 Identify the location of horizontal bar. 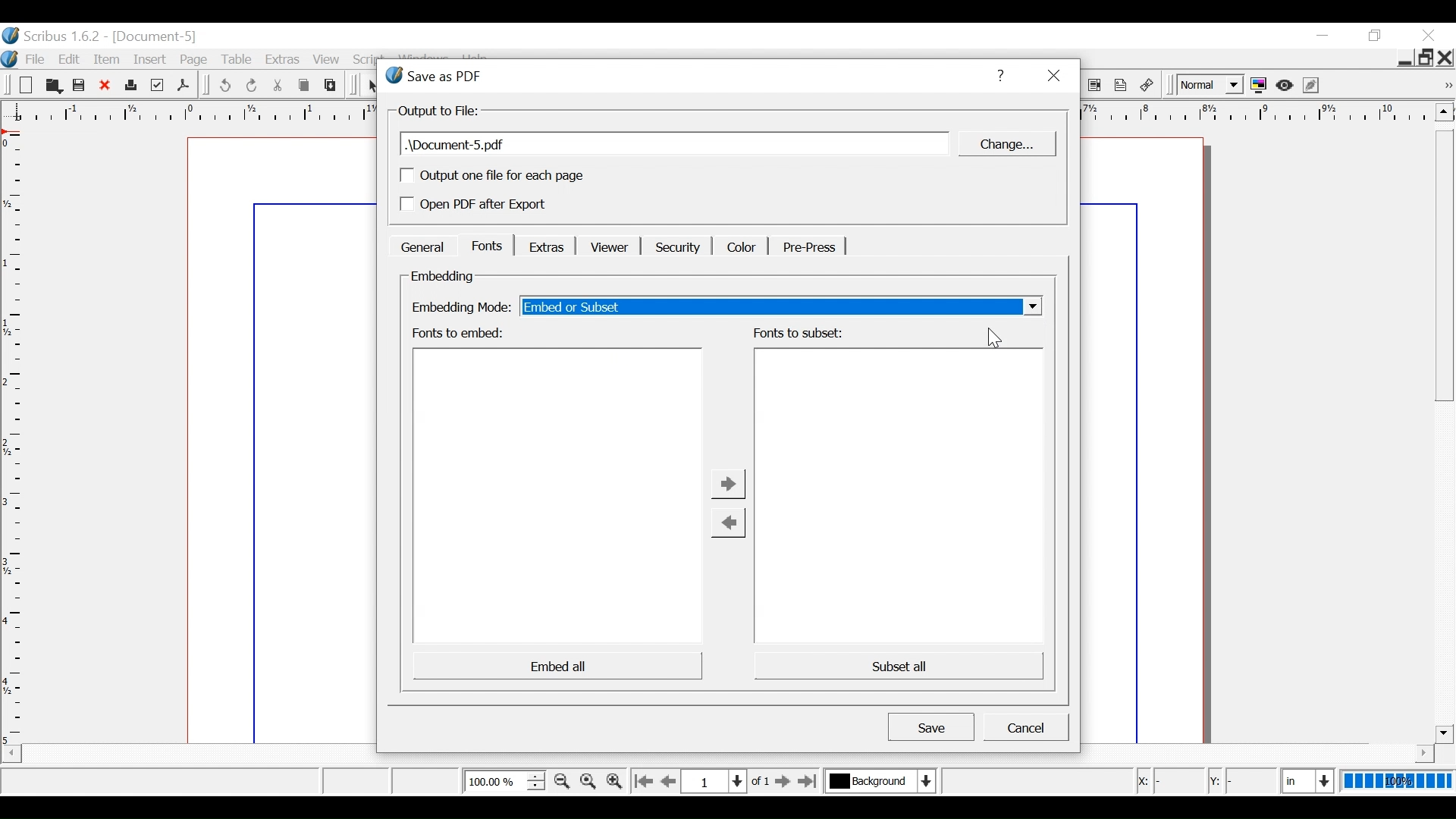
(1404, 753).